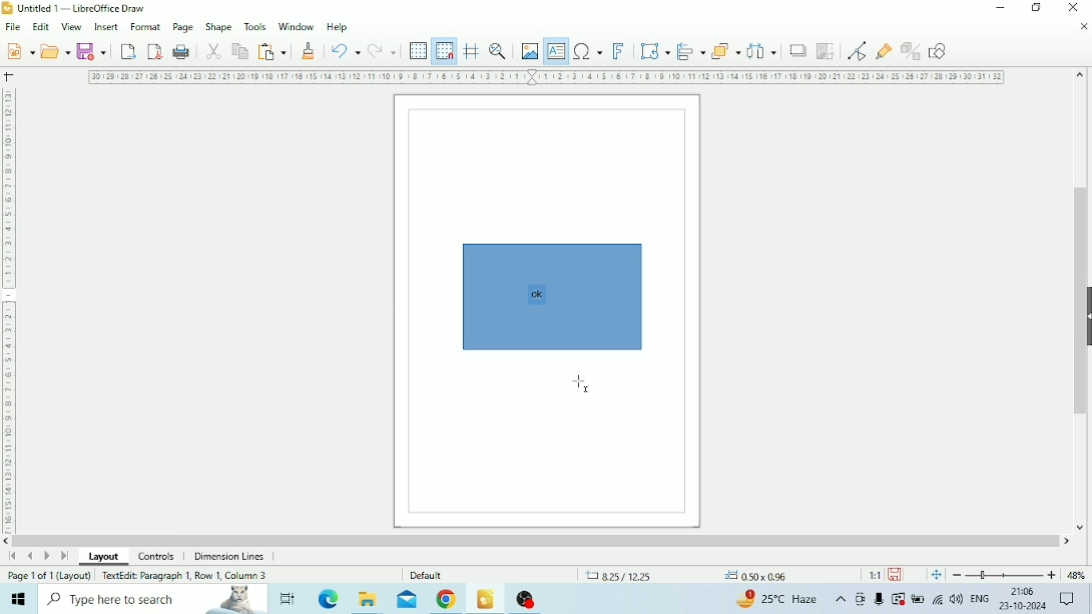  Describe the element at coordinates (471, 51) in the screenshot. I see `Helplines while moving` at that location.